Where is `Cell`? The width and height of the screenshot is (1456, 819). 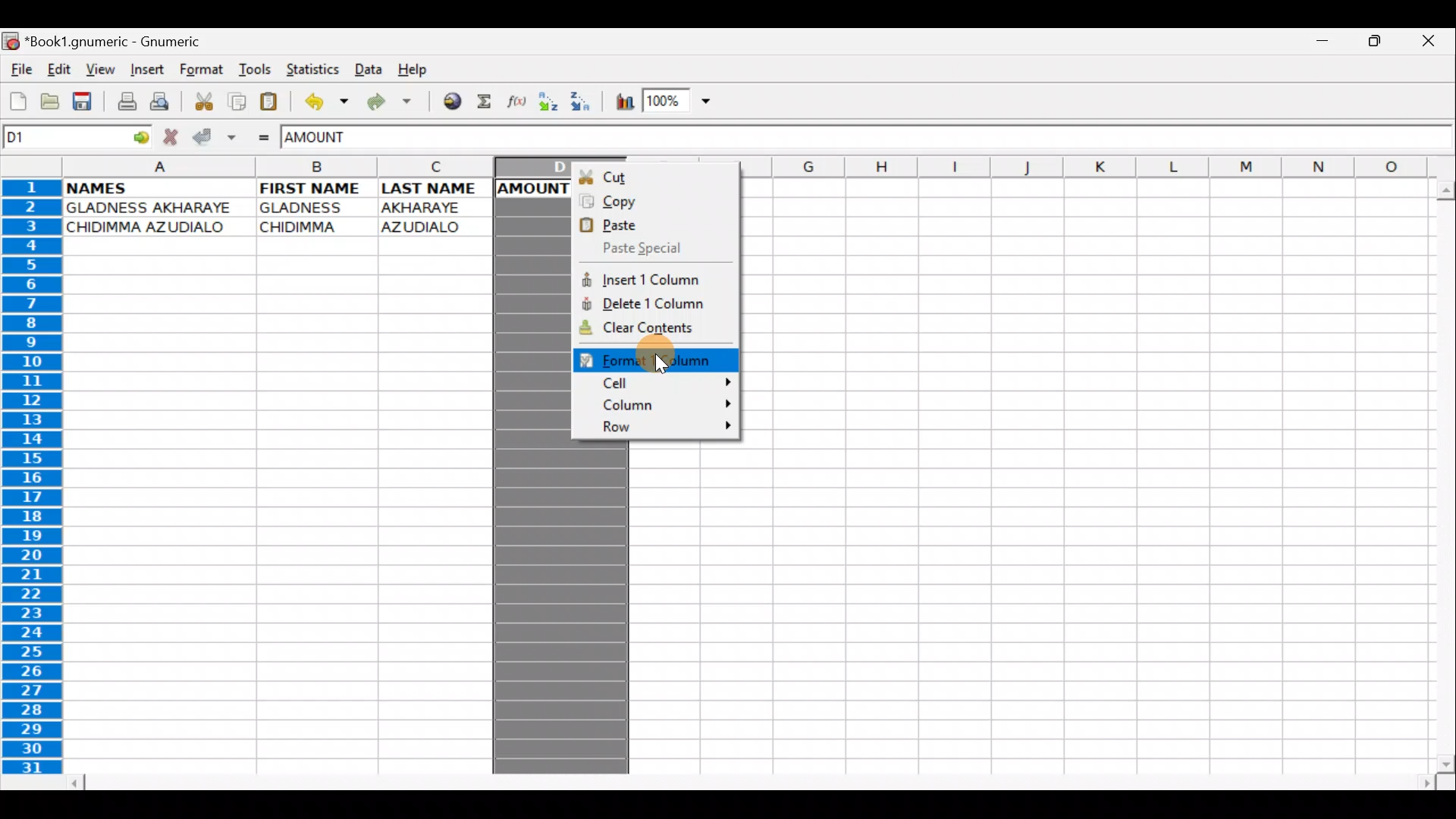
Cell is located at coordinates (661, 383).